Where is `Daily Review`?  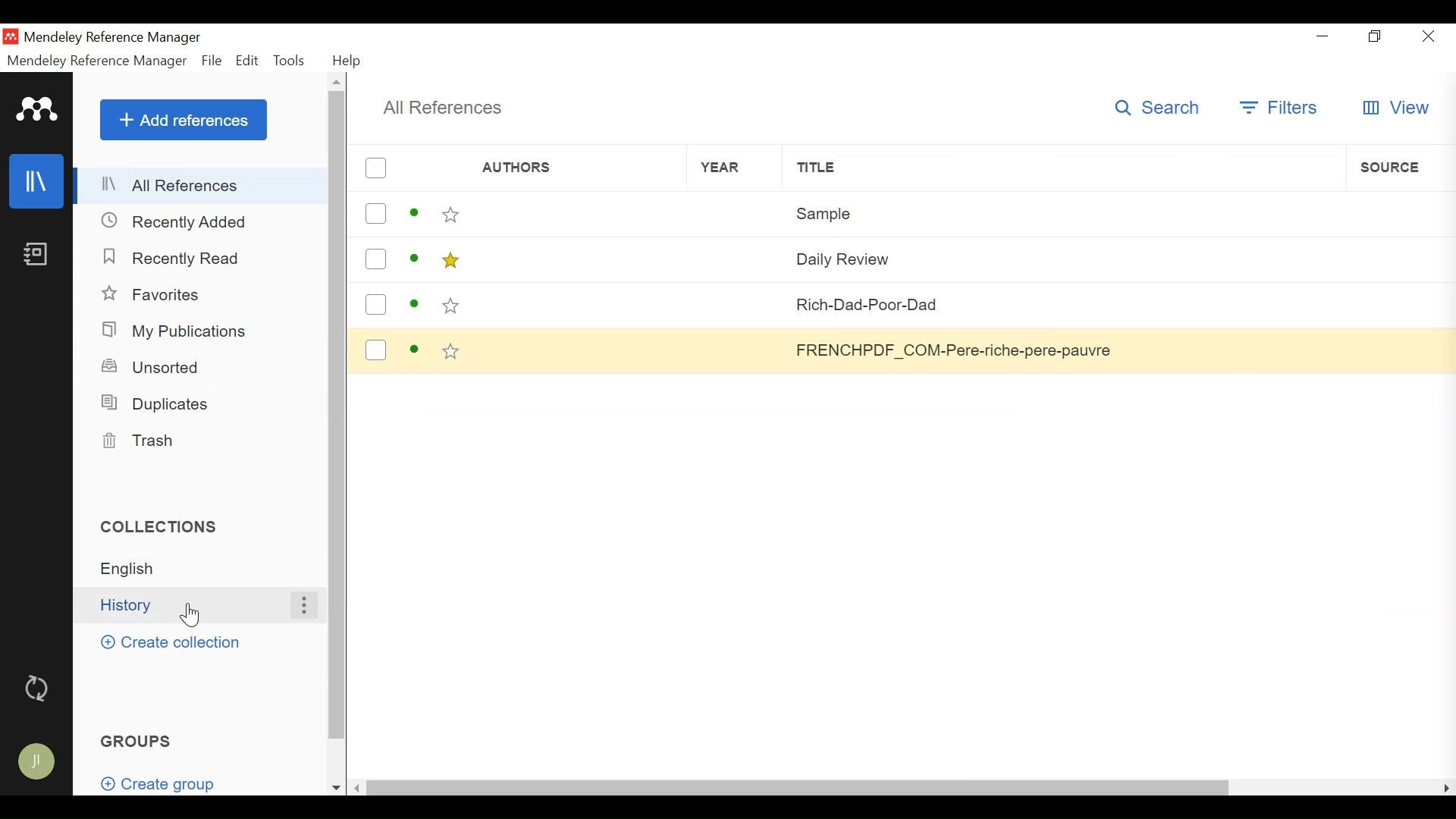
Daily Review is located at coordinates (1062, 257).